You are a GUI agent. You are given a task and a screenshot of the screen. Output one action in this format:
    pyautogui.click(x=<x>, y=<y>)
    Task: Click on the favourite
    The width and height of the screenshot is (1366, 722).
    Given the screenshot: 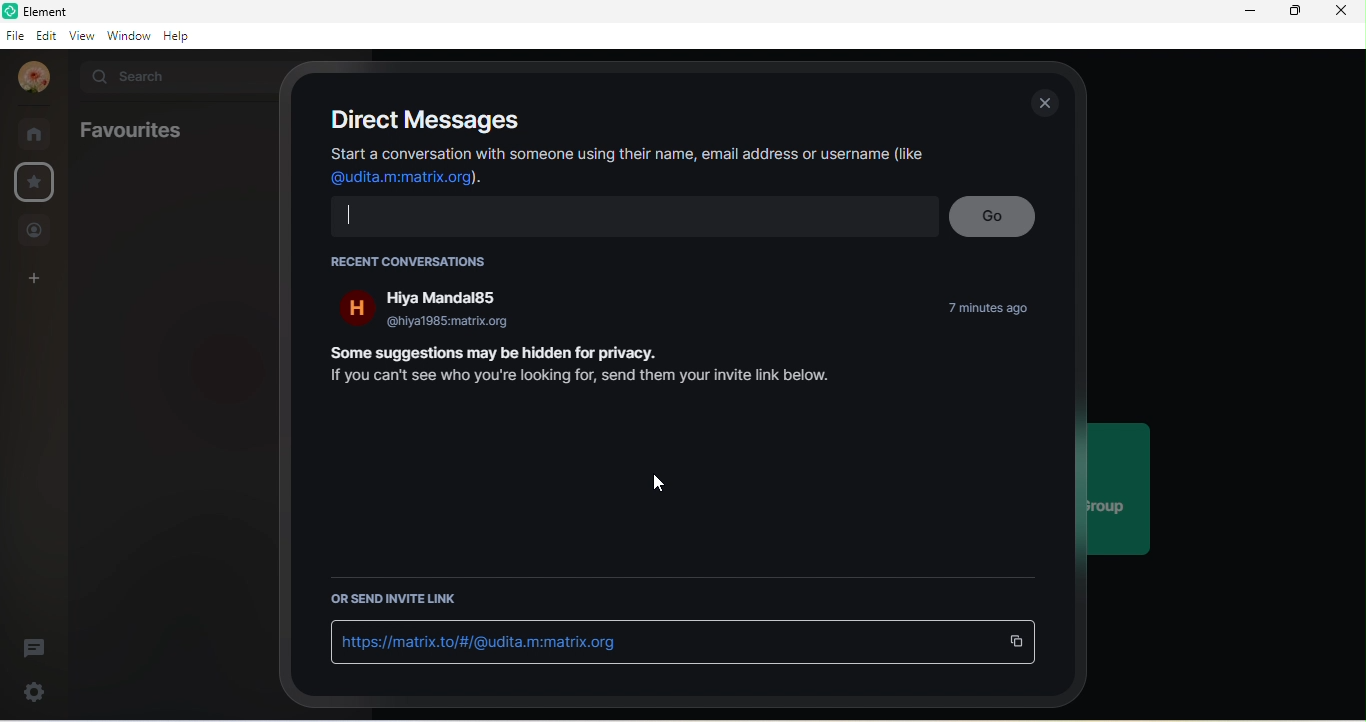 What is the action you would take?
    pyautogui.click(x=38, y=181)
    